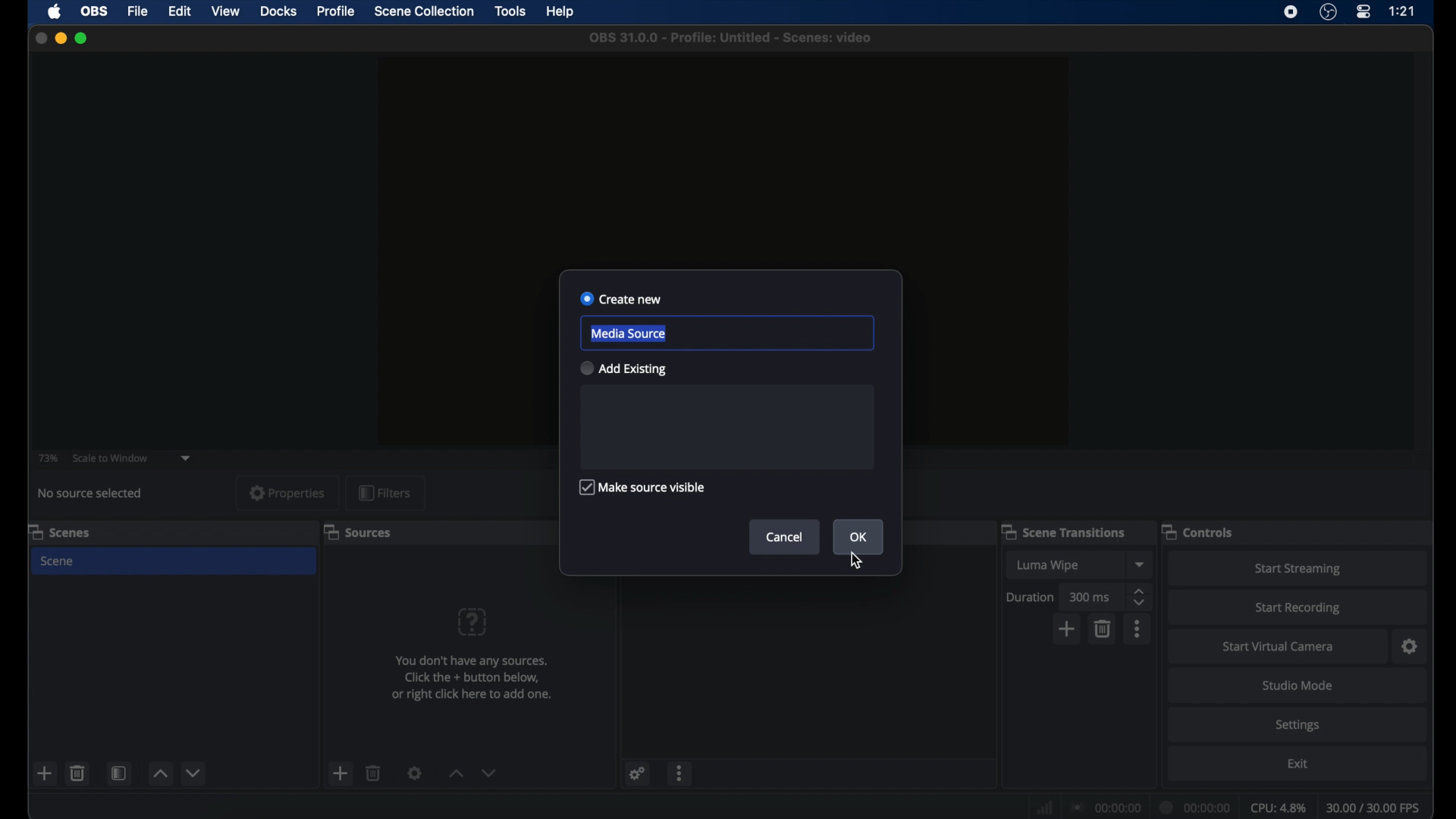 Image resolution: width=1456 pixels, height=819 pixels. I want to click on fps, so click(1373, 808).